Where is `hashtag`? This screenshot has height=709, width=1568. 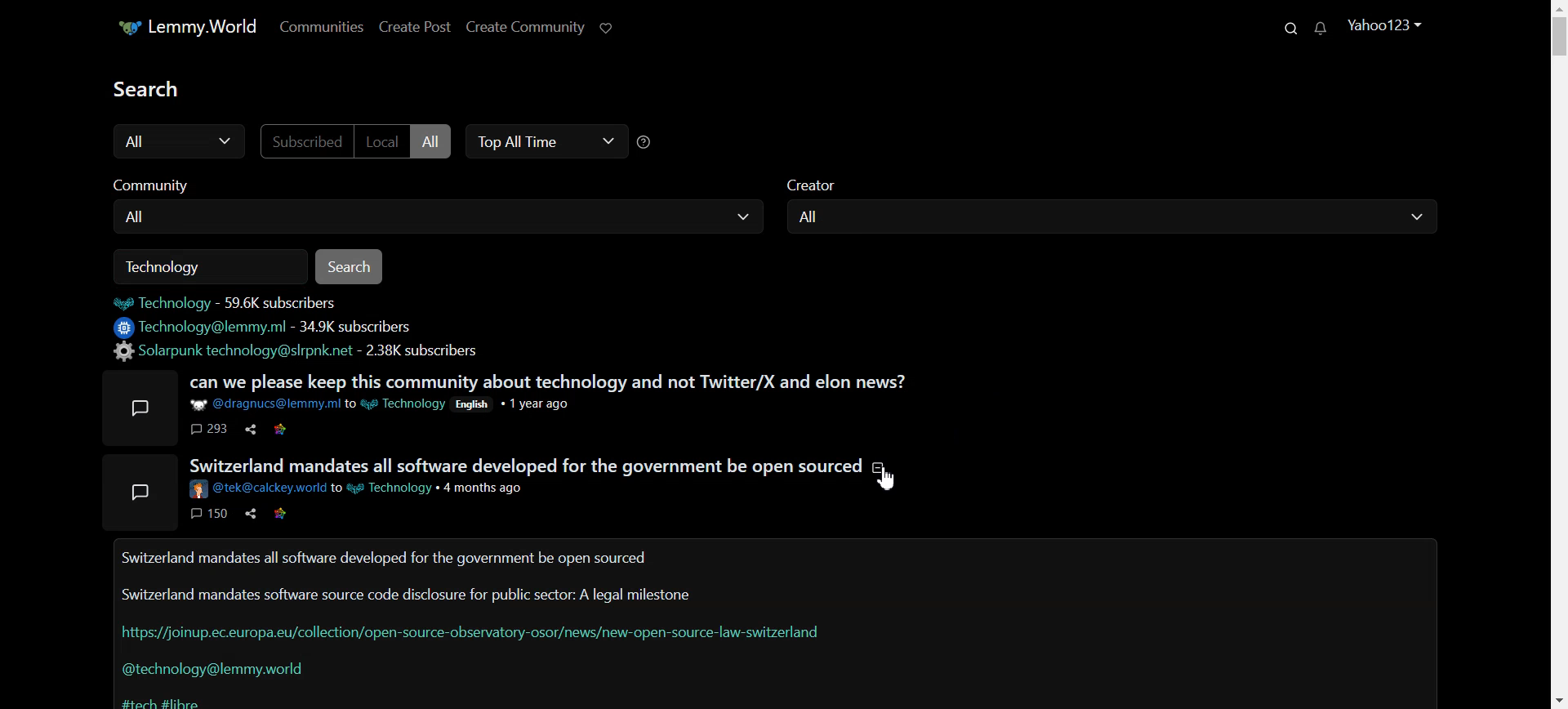 hashtag is located at coordinates (158, 700).